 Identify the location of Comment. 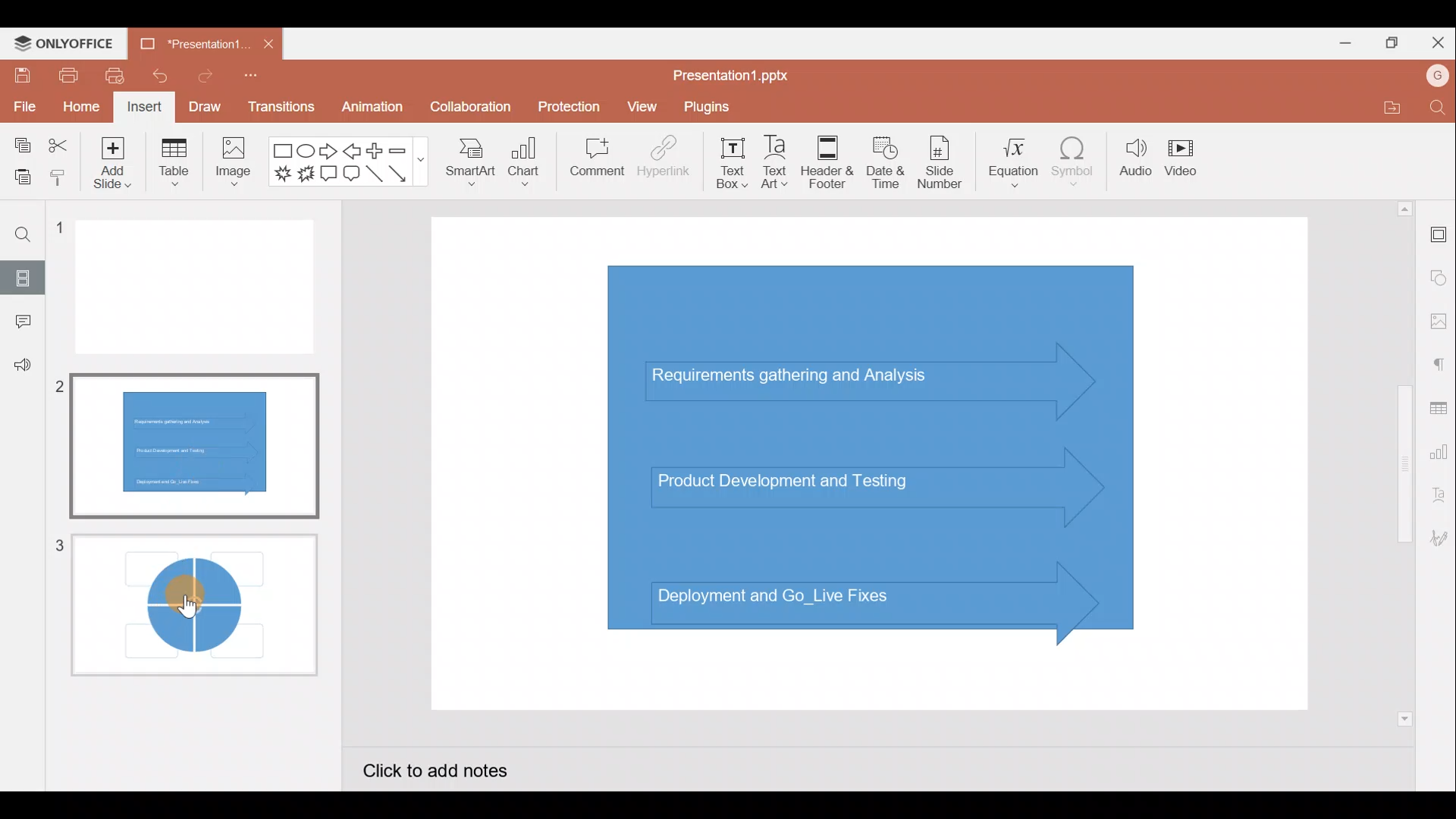
(19, 322).